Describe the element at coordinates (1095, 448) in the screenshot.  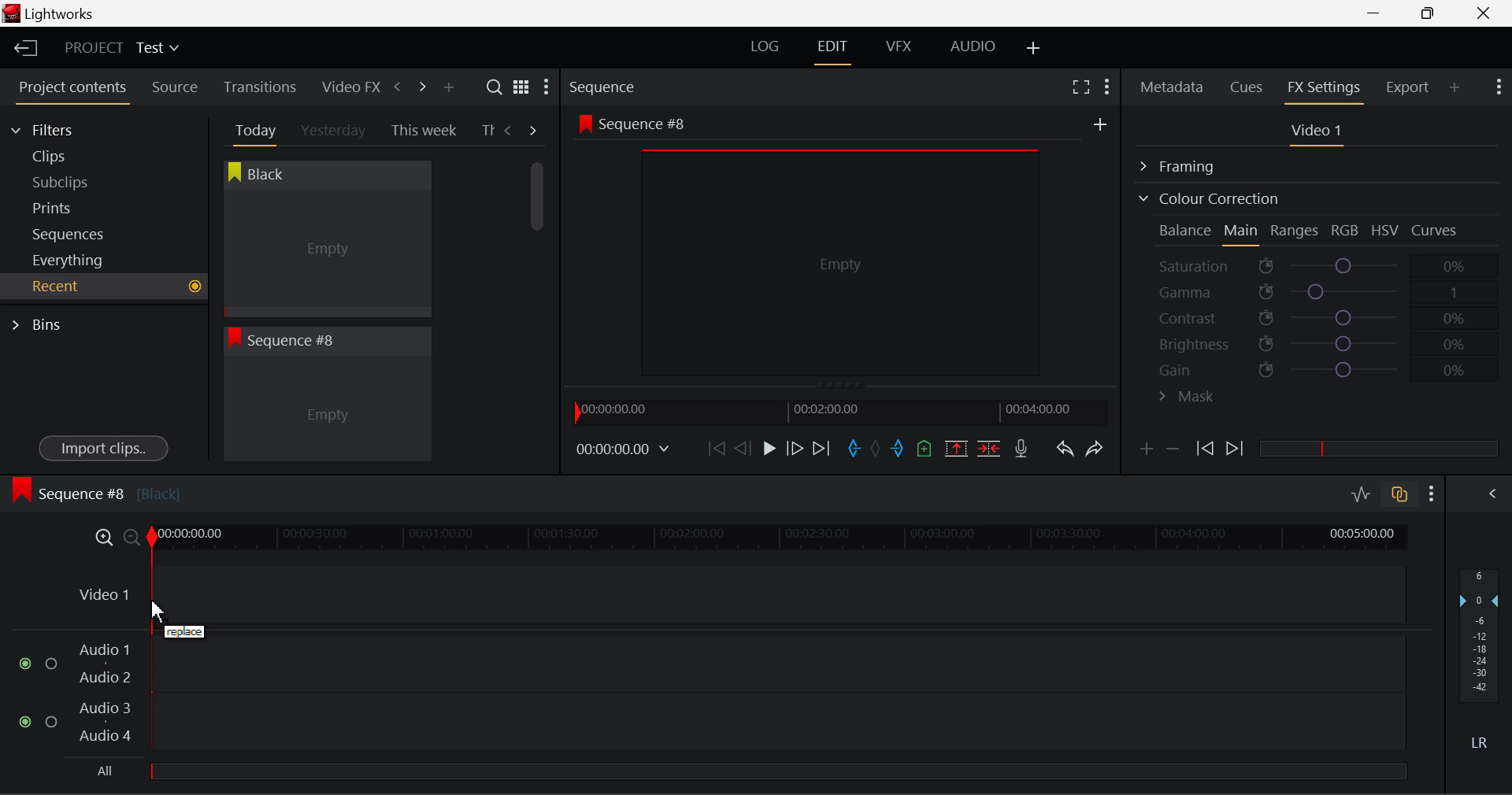
I see `Redo` at that location.